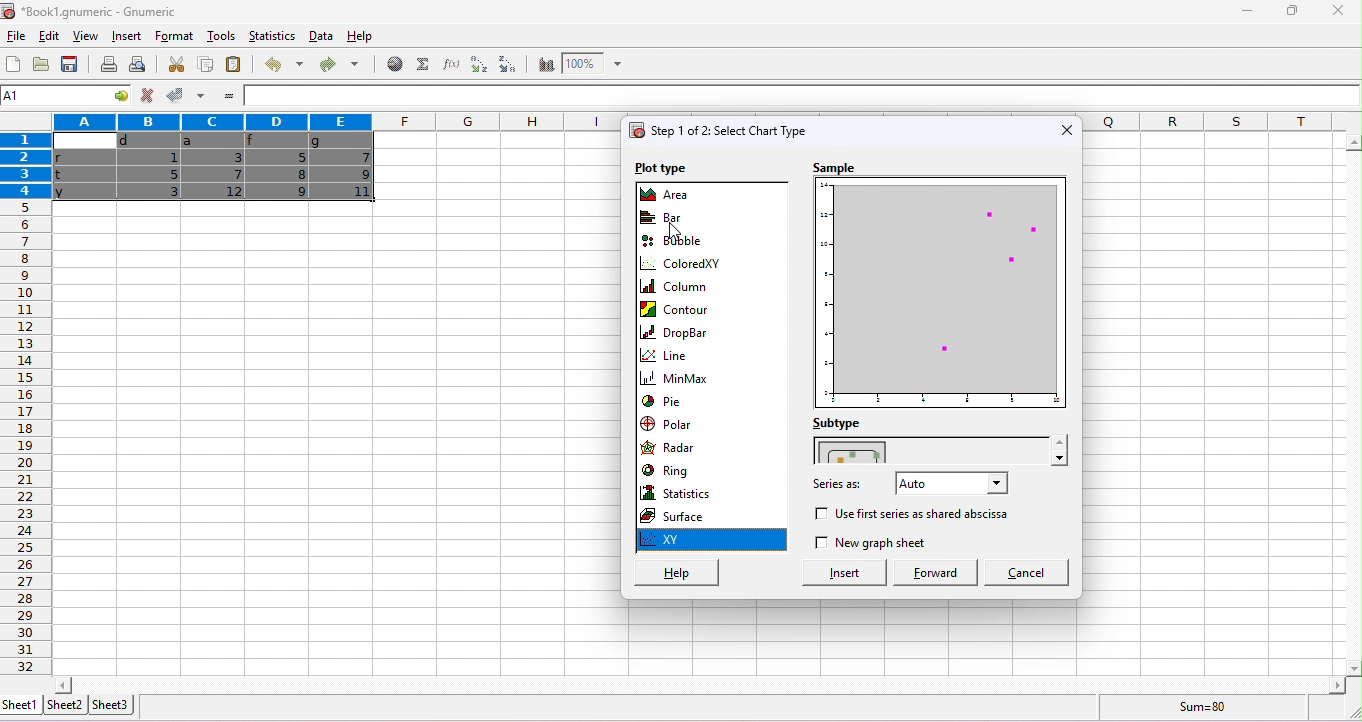  I want to click on Book1.gnumeric - Gnumeric, so click(92, 11).